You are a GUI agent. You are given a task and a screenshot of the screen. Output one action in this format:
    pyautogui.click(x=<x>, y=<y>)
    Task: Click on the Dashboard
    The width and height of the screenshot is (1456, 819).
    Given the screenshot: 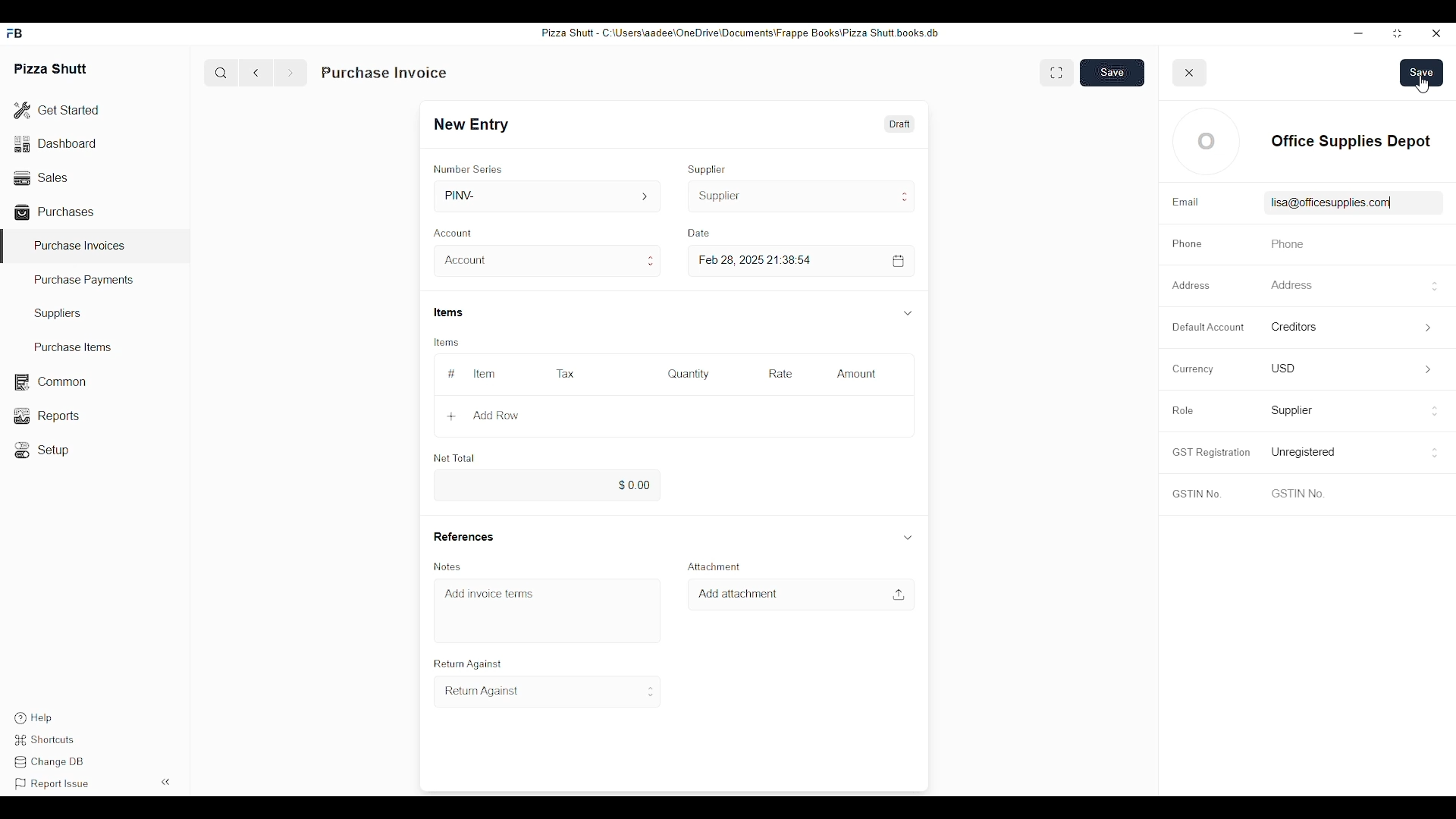 What is the action you would take?
    pyautogui.click(x=57, y=143)
    